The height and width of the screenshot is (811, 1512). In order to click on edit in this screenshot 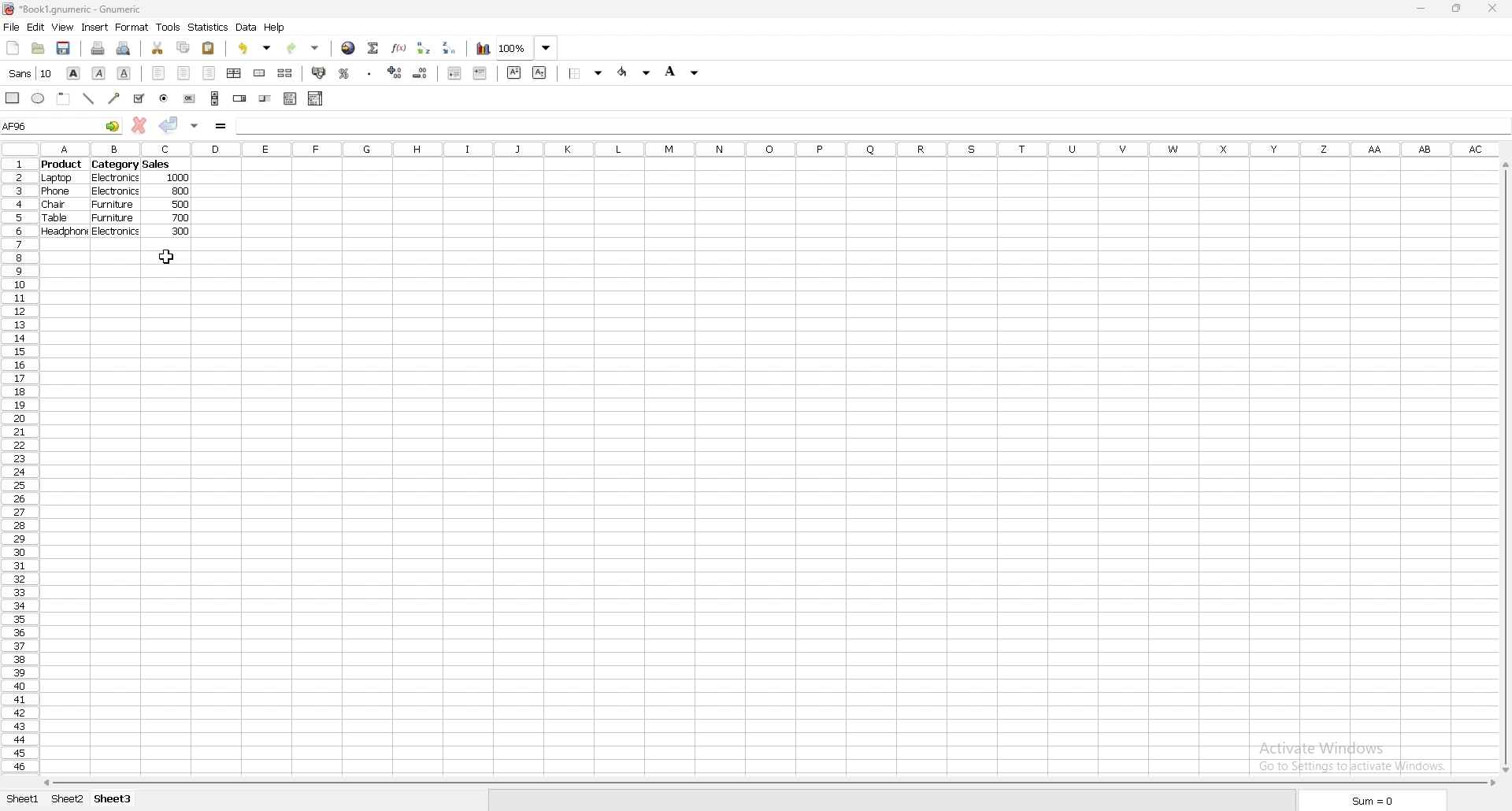, I will do `click(37, 27)`.